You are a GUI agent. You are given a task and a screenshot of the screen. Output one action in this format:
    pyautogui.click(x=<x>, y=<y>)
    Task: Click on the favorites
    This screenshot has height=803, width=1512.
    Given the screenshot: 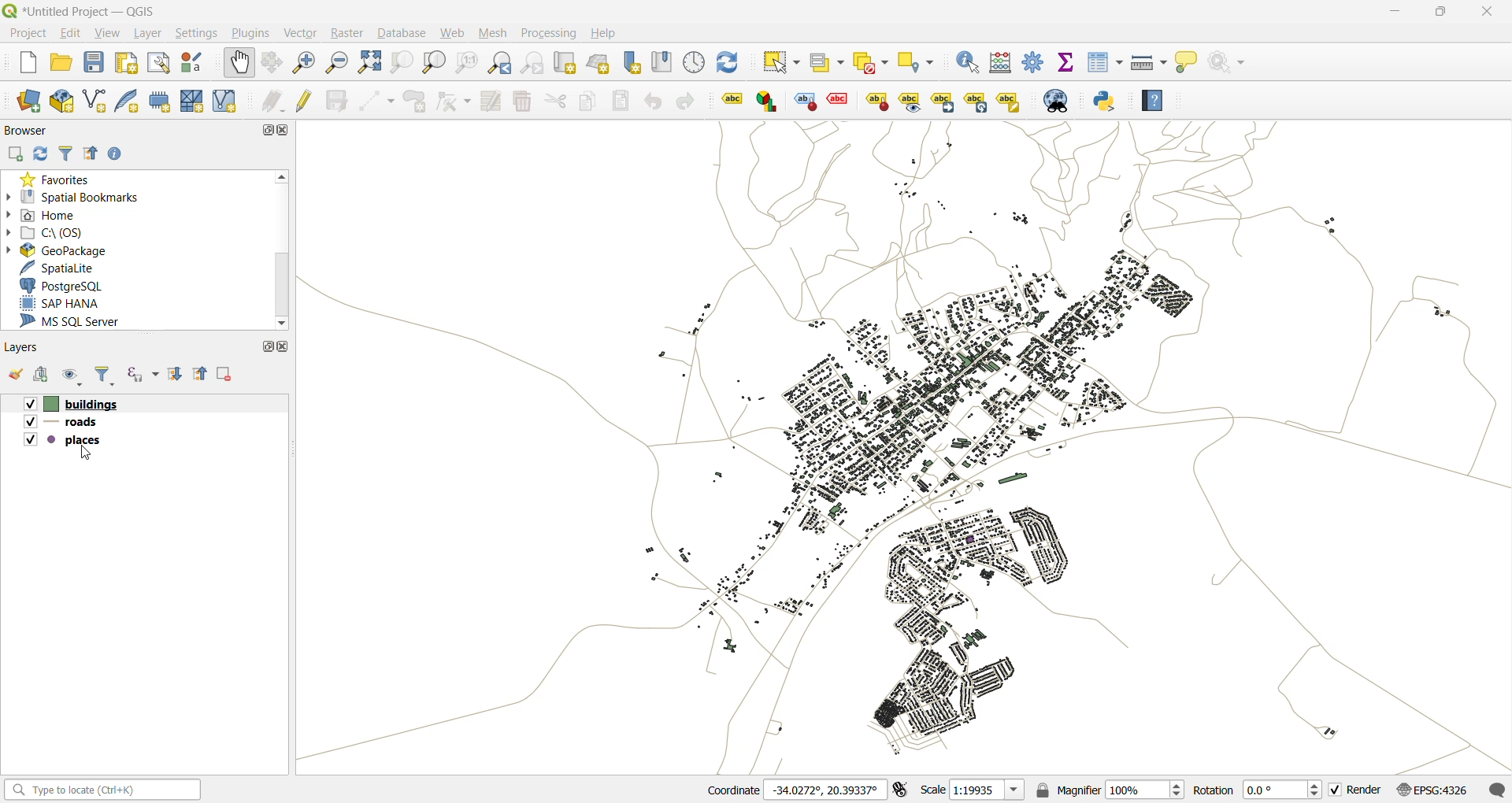 What is the action you would take?
    pyautogui.click(x=61, y=178)
    